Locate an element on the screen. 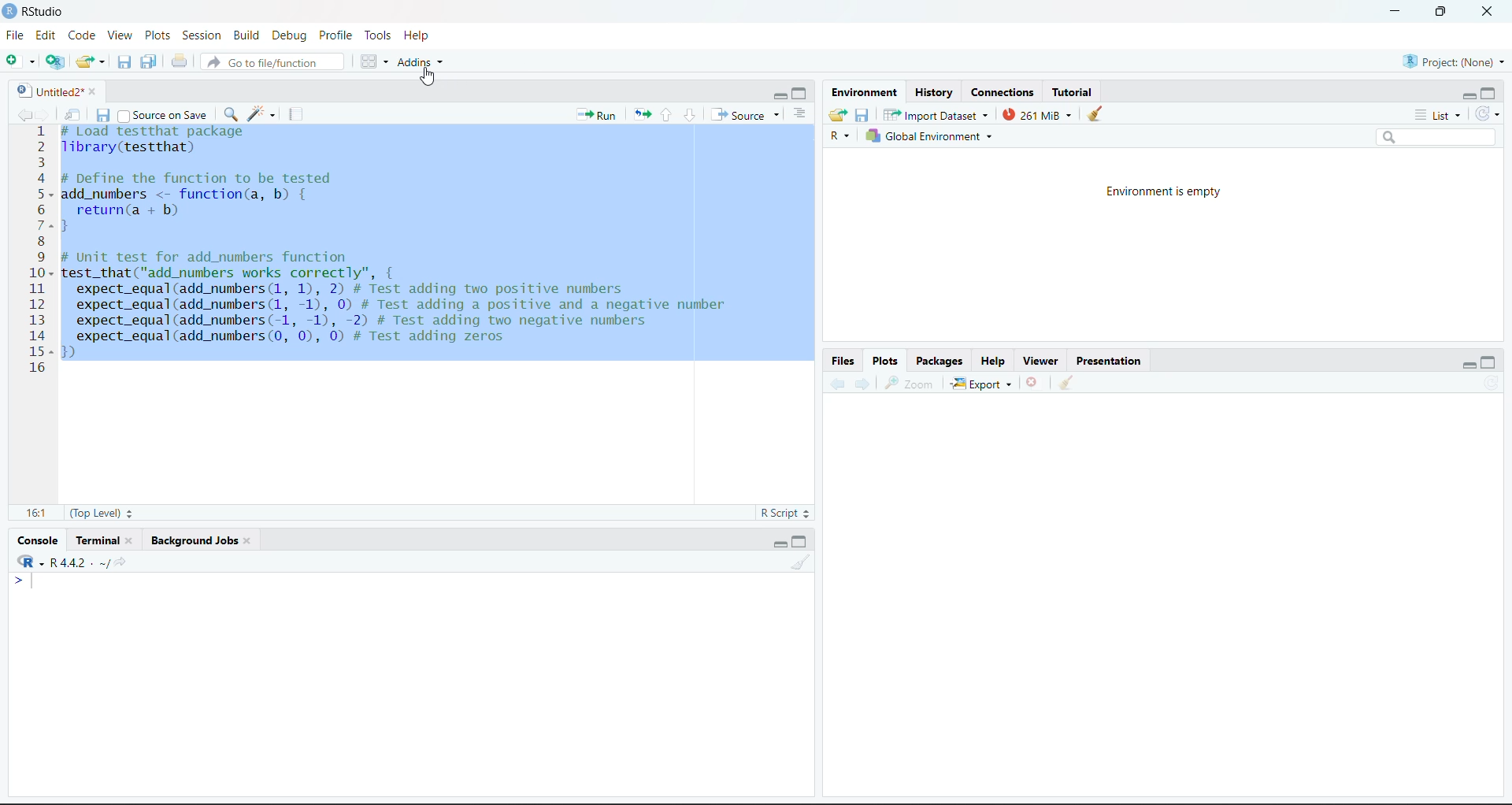 The width and height of the screenshot is (1512, 805). Plots is located at coordinates (884, 361).